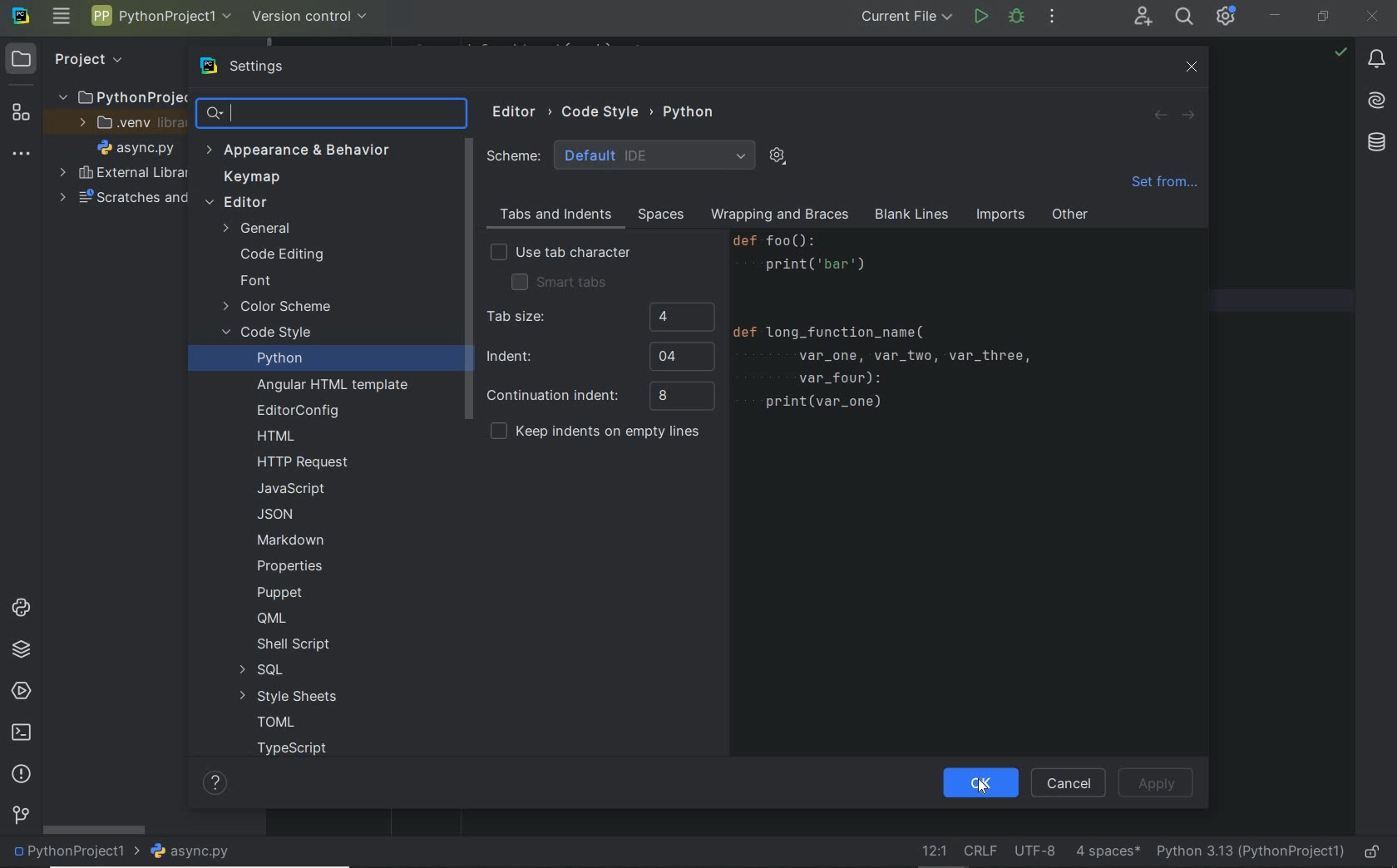  I want to click on settings, so click(259, 67).